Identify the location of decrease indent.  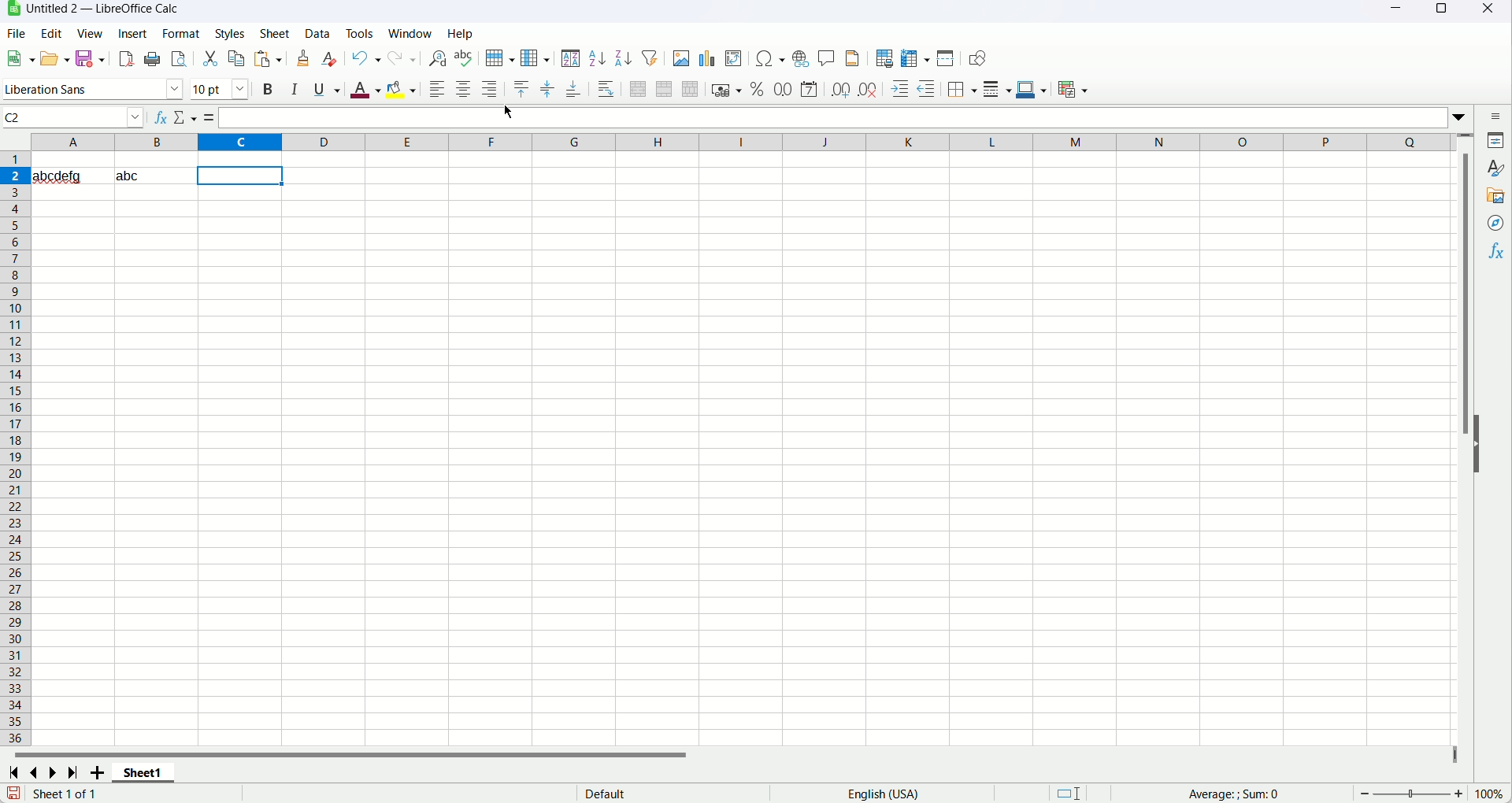
(901, 89).